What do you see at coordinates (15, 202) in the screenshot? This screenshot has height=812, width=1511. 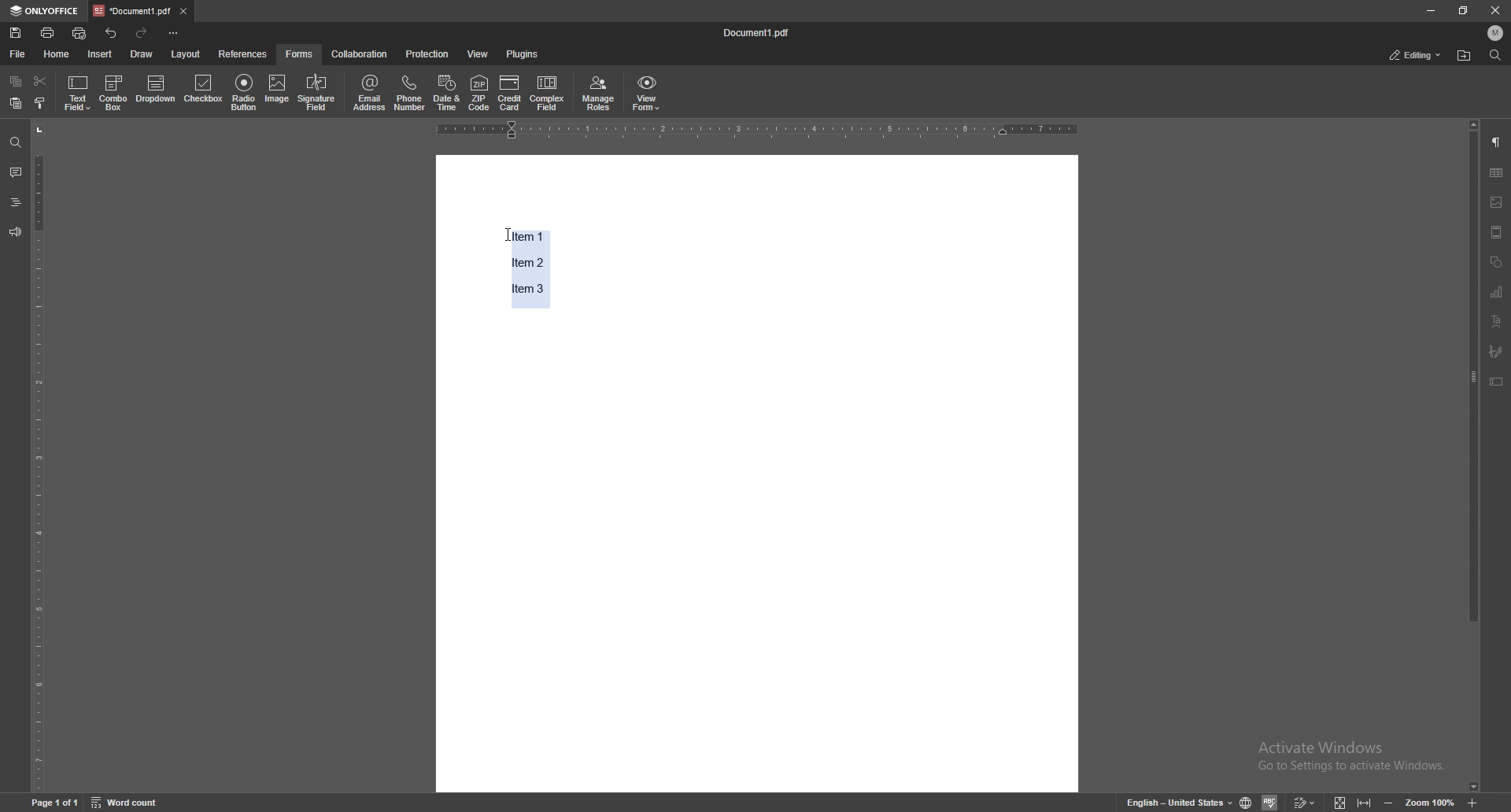 I see `heading` at bounding box center [15, 202].